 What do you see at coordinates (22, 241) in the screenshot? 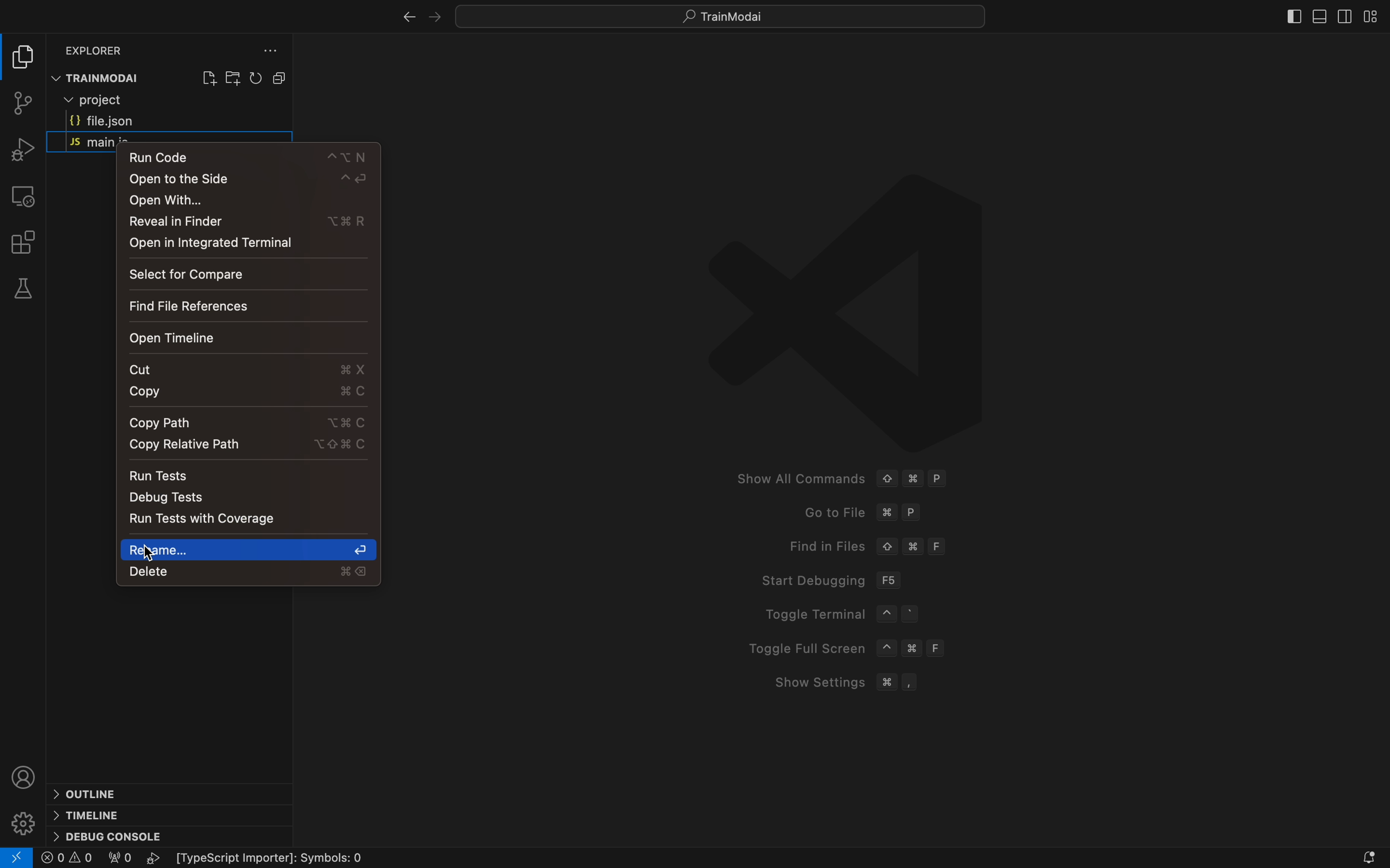
I see `extensions` at bounding box center [22, 241].